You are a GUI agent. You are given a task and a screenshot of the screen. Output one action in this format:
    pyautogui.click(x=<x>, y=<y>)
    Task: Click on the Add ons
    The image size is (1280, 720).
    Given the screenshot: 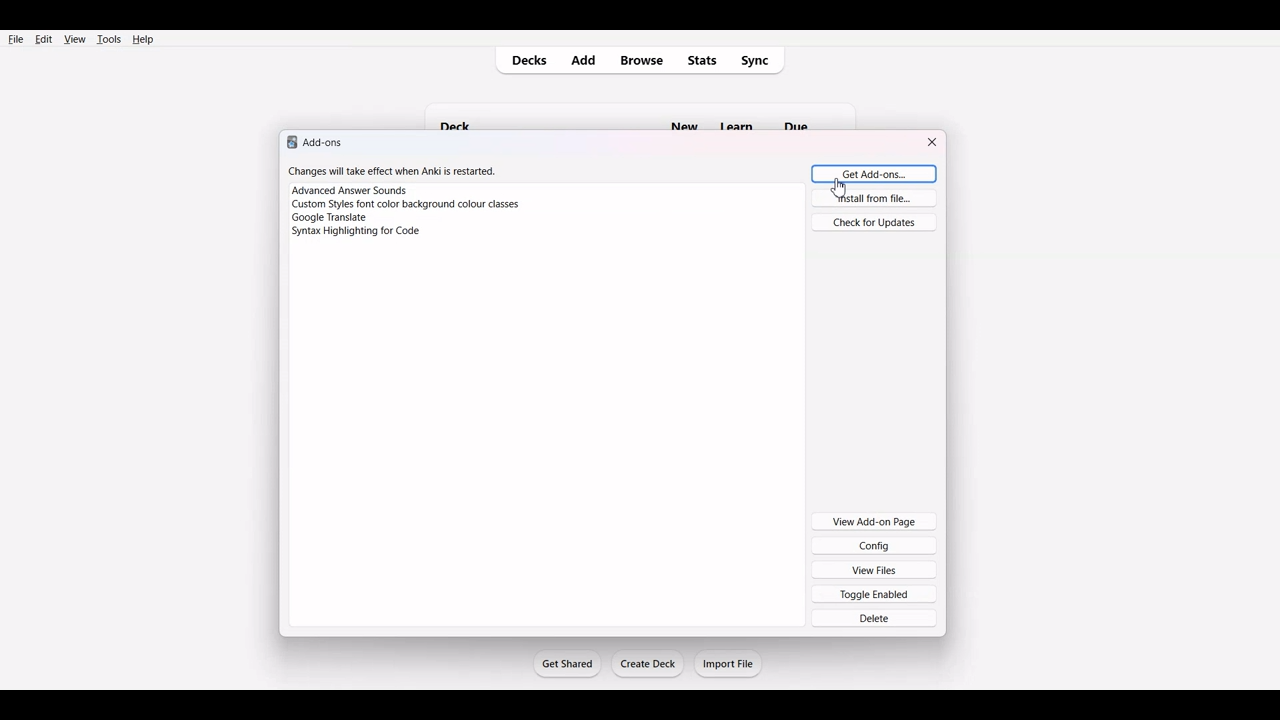 What is the action you would take?
    pyautogui.click(x=316, y=141)
    